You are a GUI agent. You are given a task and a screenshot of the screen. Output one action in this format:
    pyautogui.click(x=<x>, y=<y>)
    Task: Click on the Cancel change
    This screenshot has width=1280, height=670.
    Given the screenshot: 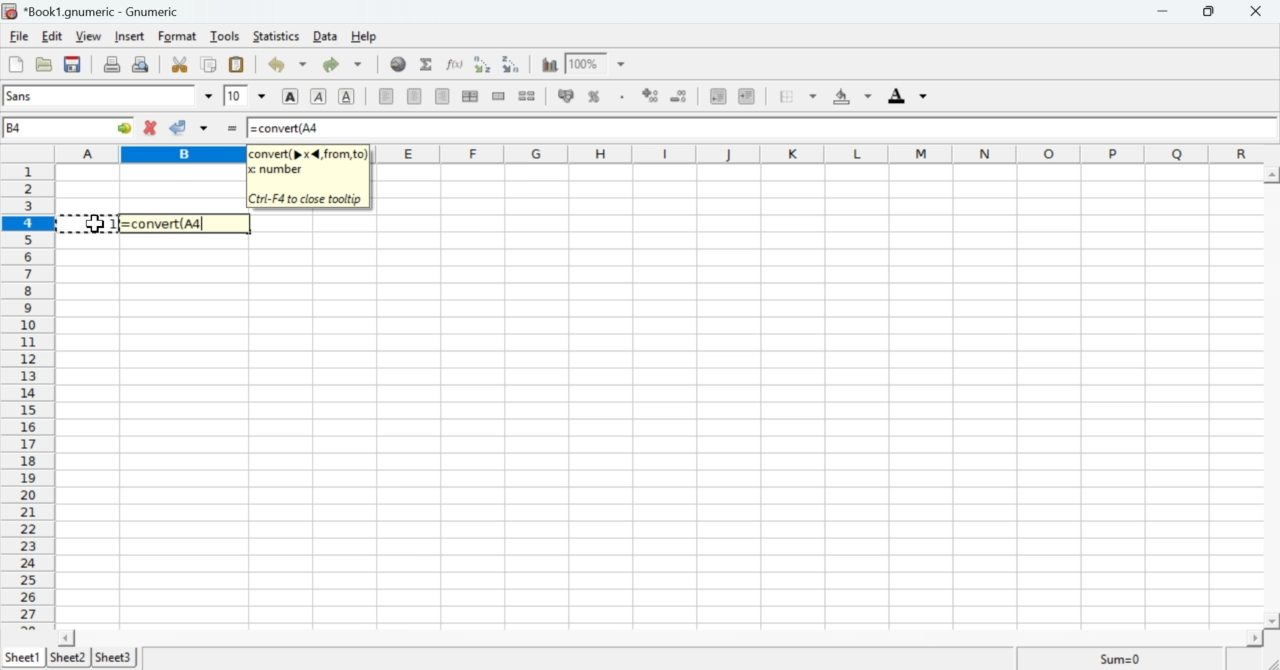 What is the action you would take?
    pyautogui.click(x=148, y=129)
    